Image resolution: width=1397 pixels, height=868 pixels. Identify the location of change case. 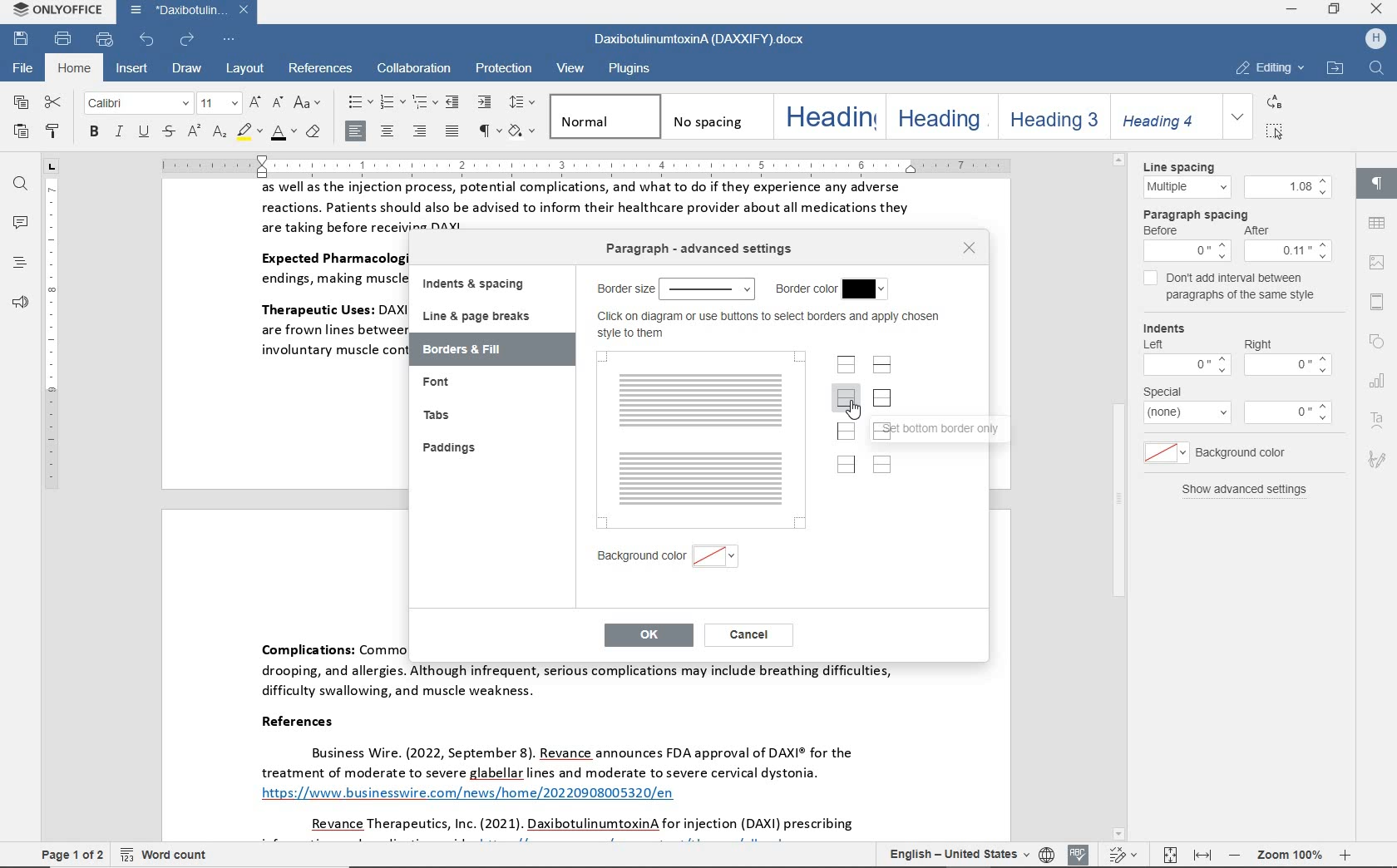
(307, 102).